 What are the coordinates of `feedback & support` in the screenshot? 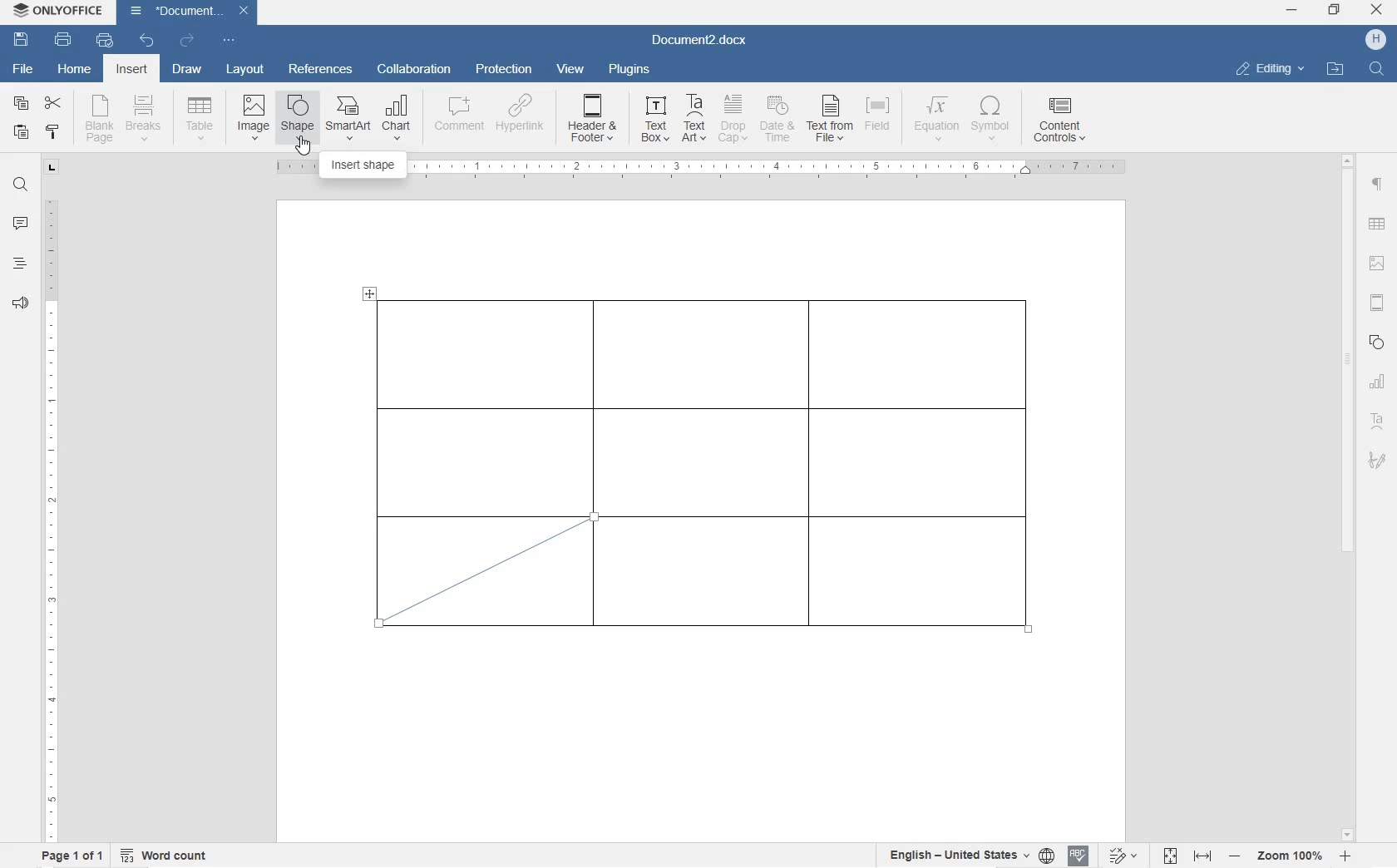 It's located at (20, 305).